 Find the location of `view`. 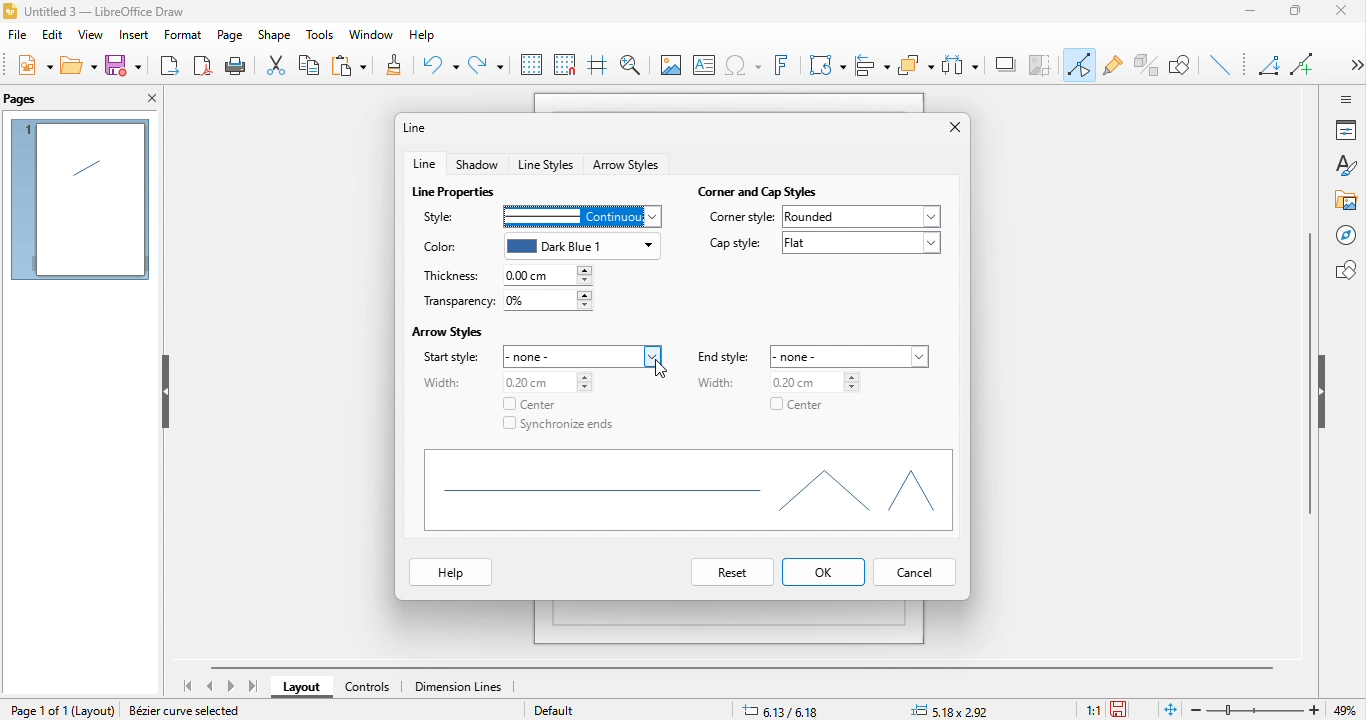

view is located at coordinates (88, 38).